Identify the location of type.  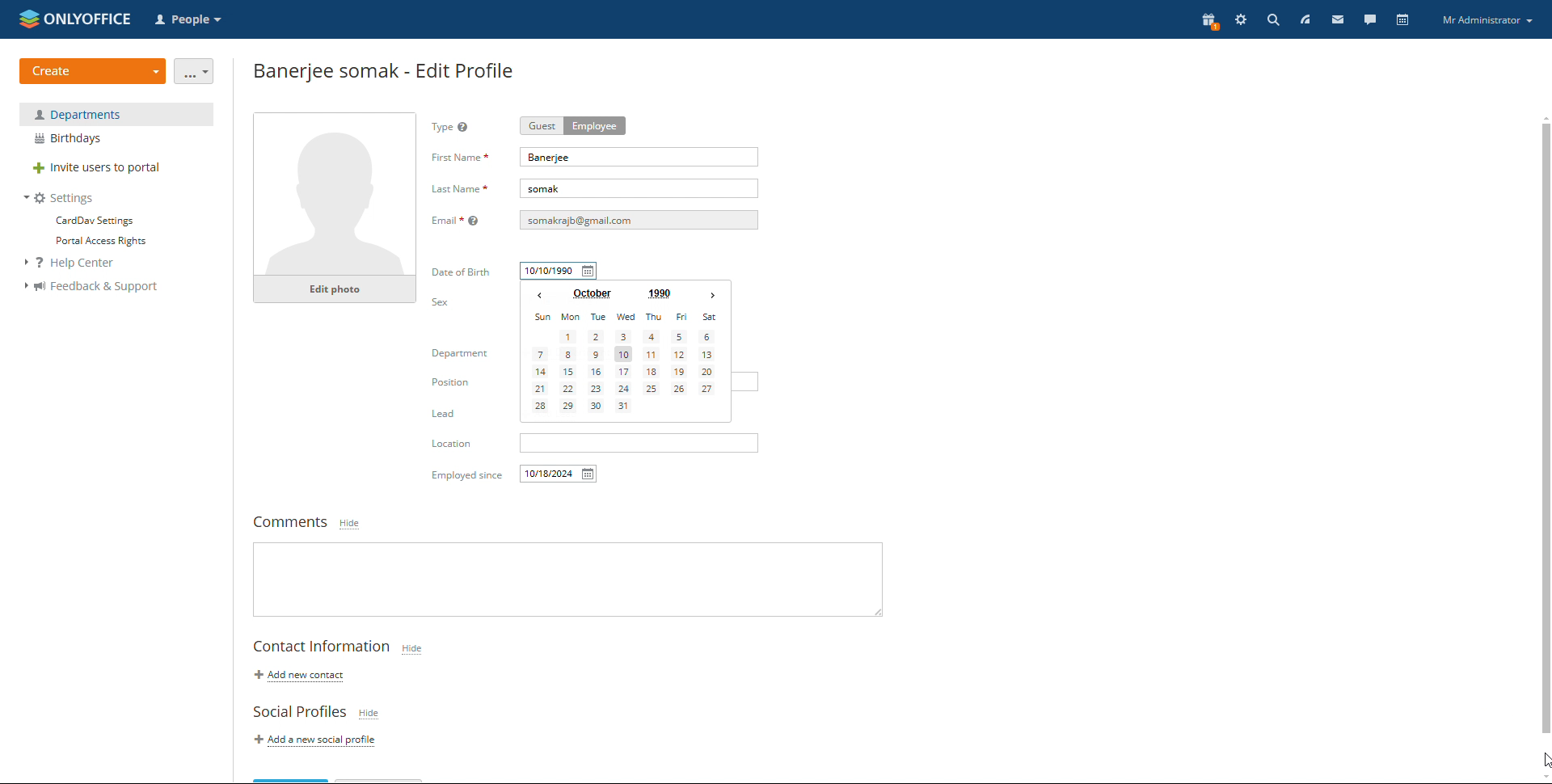
(455, 129).